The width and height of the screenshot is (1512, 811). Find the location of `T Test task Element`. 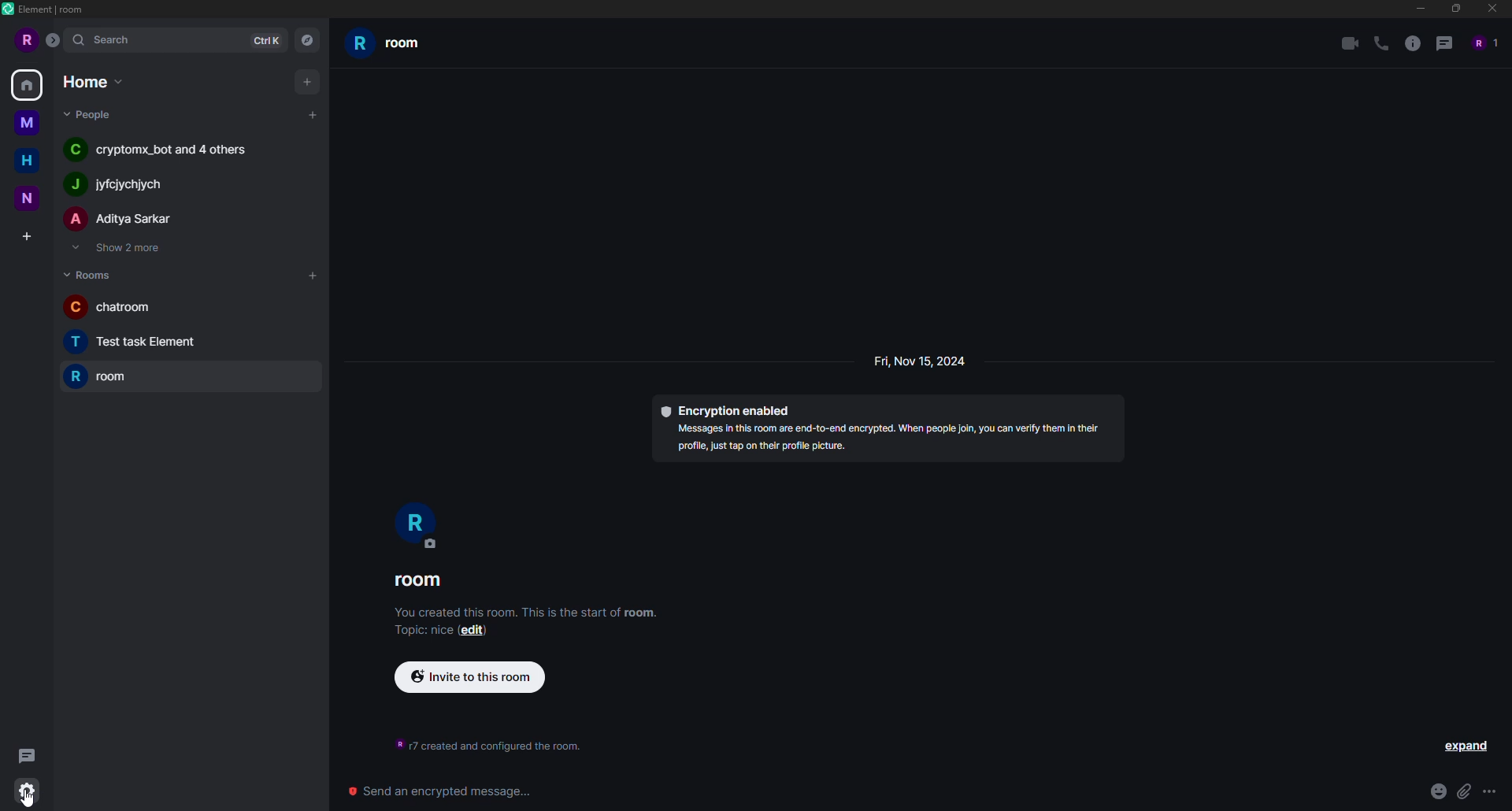

T Test task Element is located at coordinates (136, 343).